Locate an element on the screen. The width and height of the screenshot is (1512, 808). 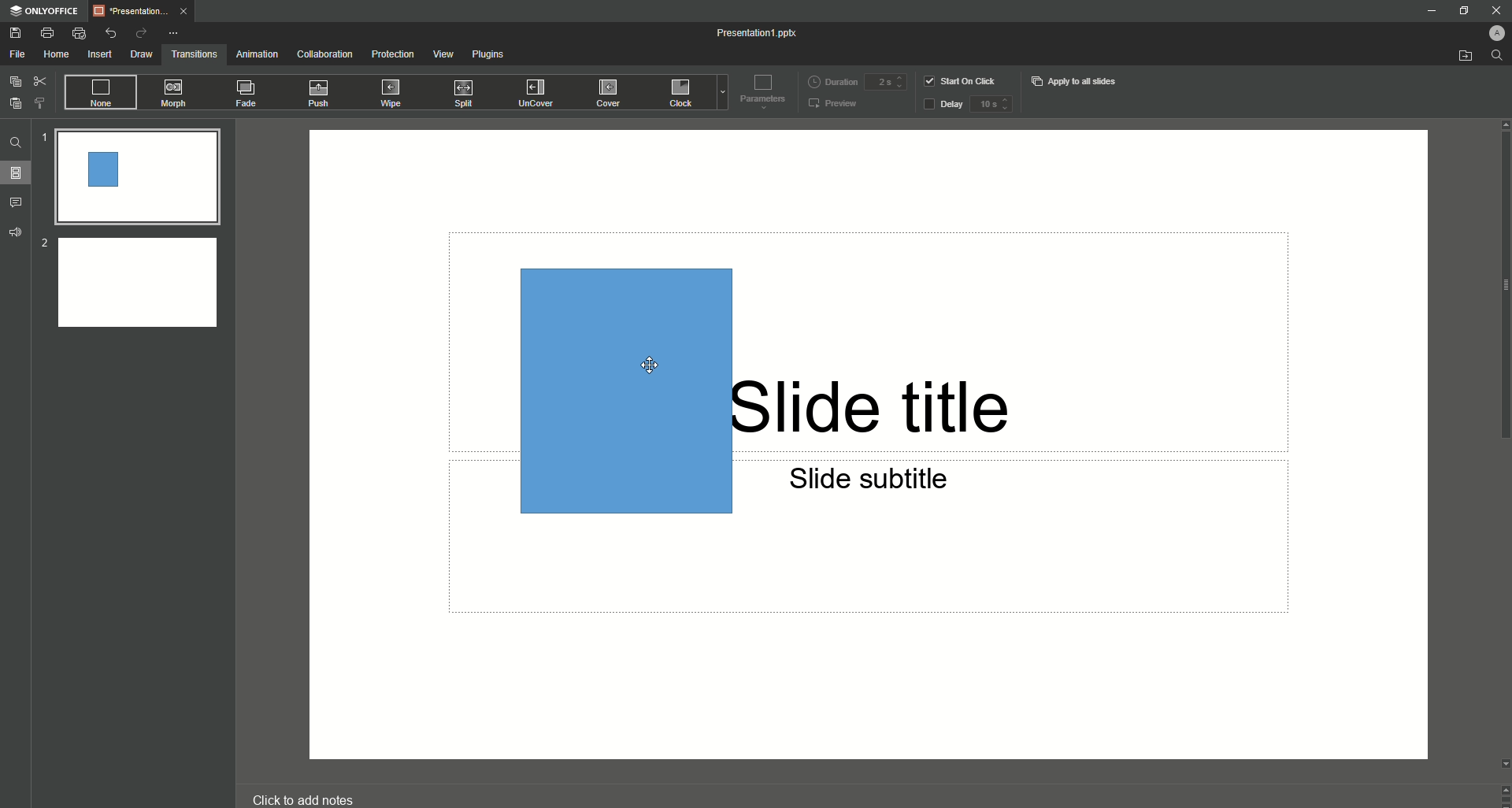
Minimize is located at coordinates (1429, 9).